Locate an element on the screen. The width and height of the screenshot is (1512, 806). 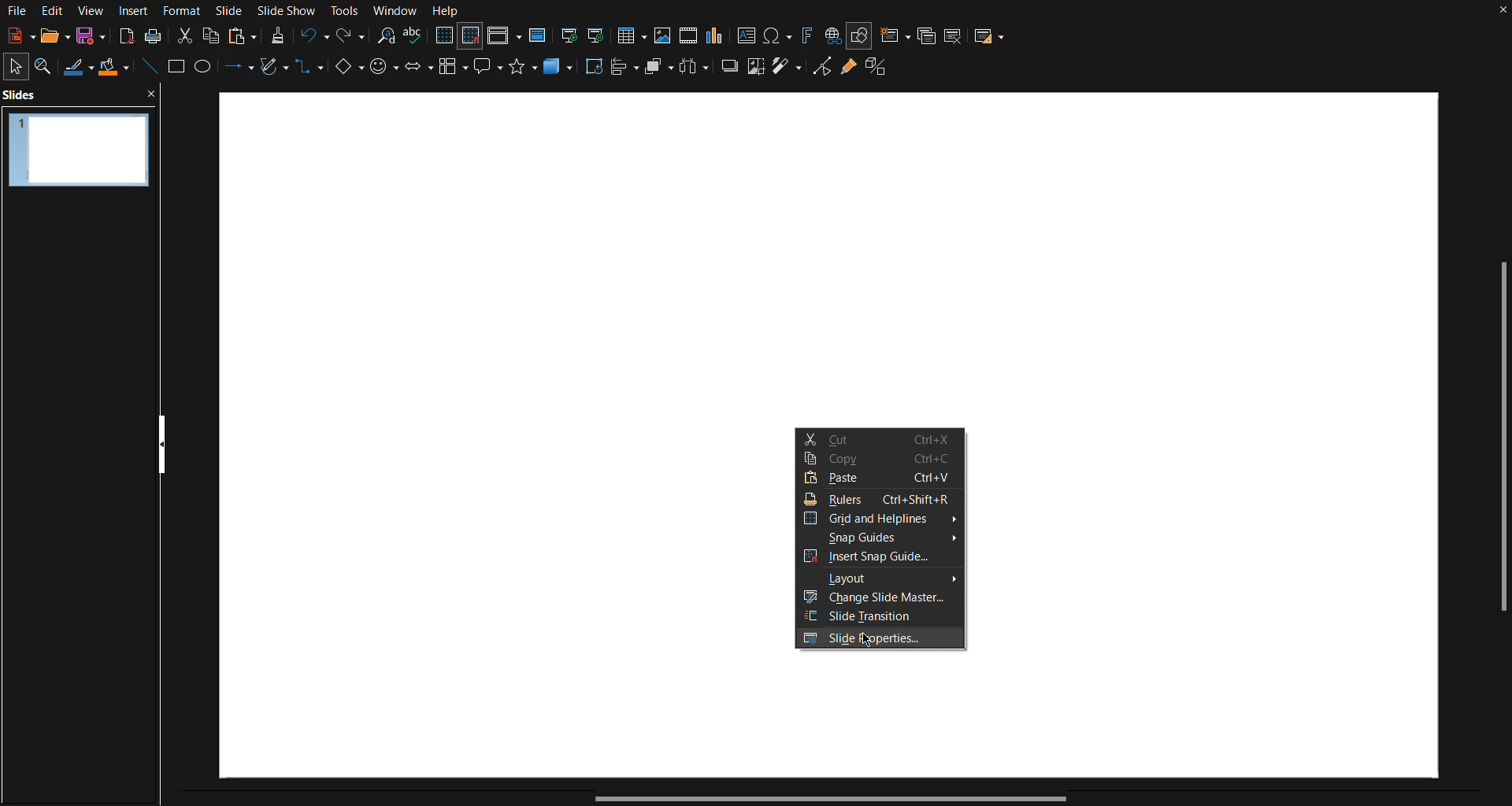
close is located at coordinates (154, 94).